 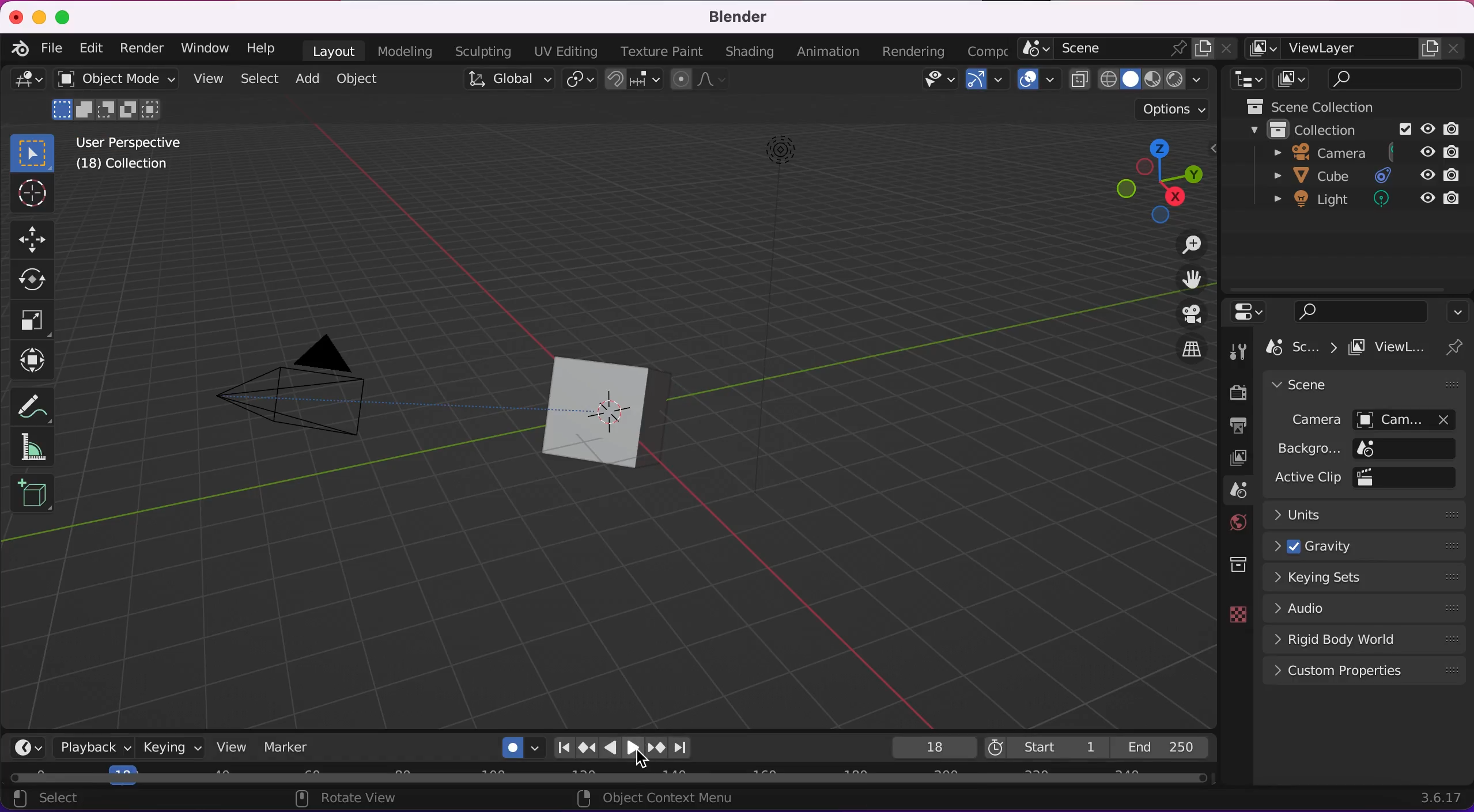 I want to click on view, so click(x=205, y=77).